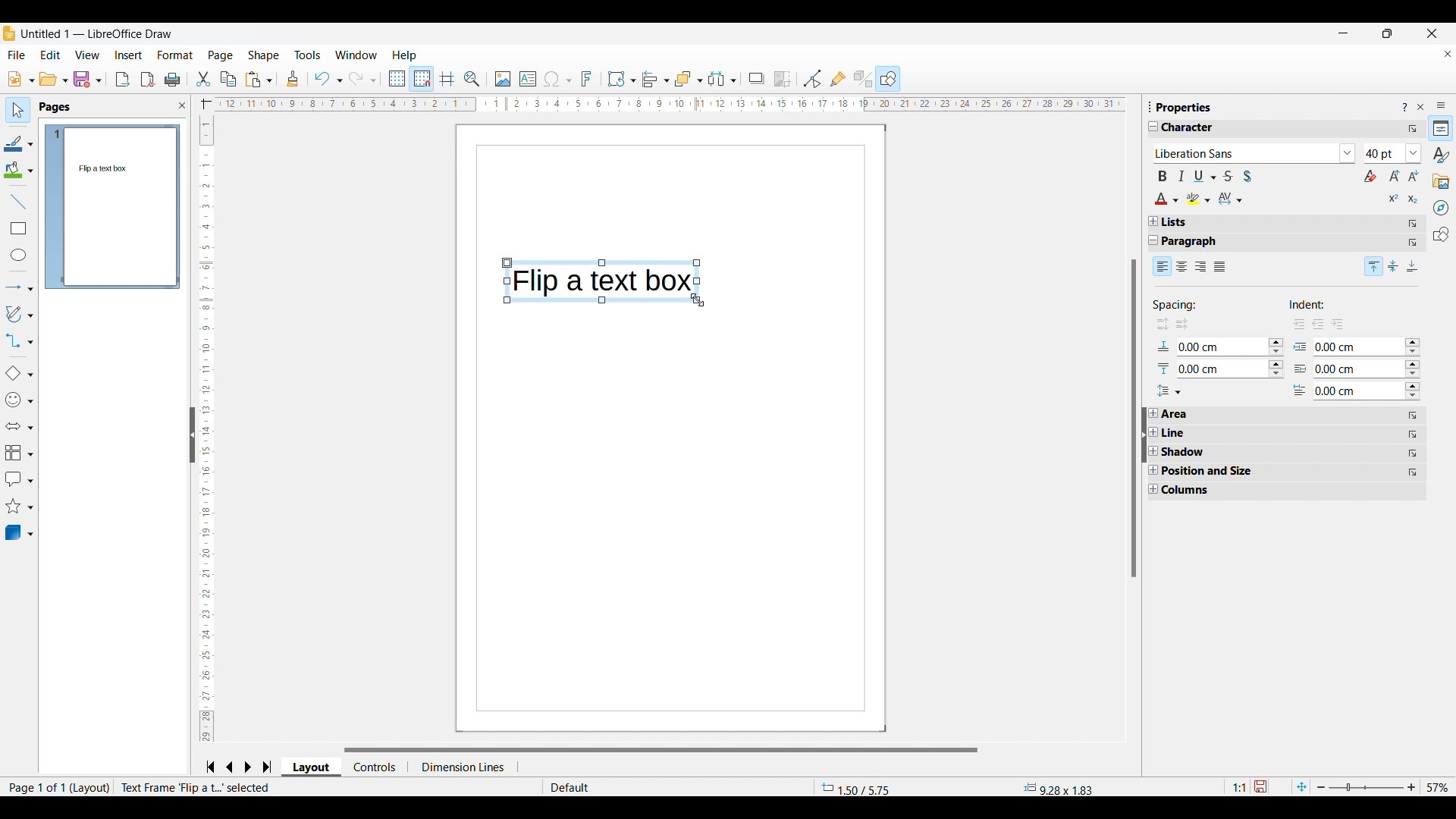  What do you see at coordinates (20, 453) in the screenshot?
I see `Flowchart options` at bounding box center [20, 453].